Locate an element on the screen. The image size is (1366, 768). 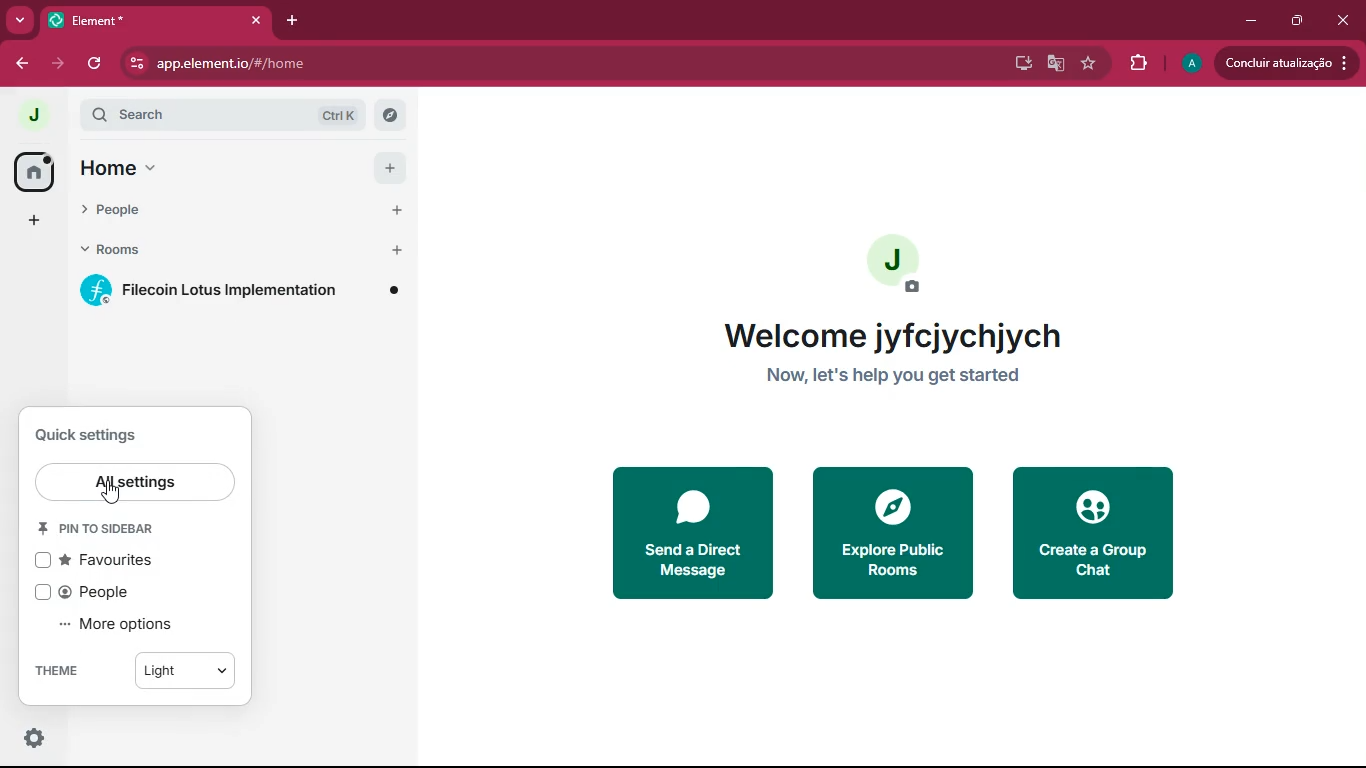
add tab is located at coordinates (288, 24).